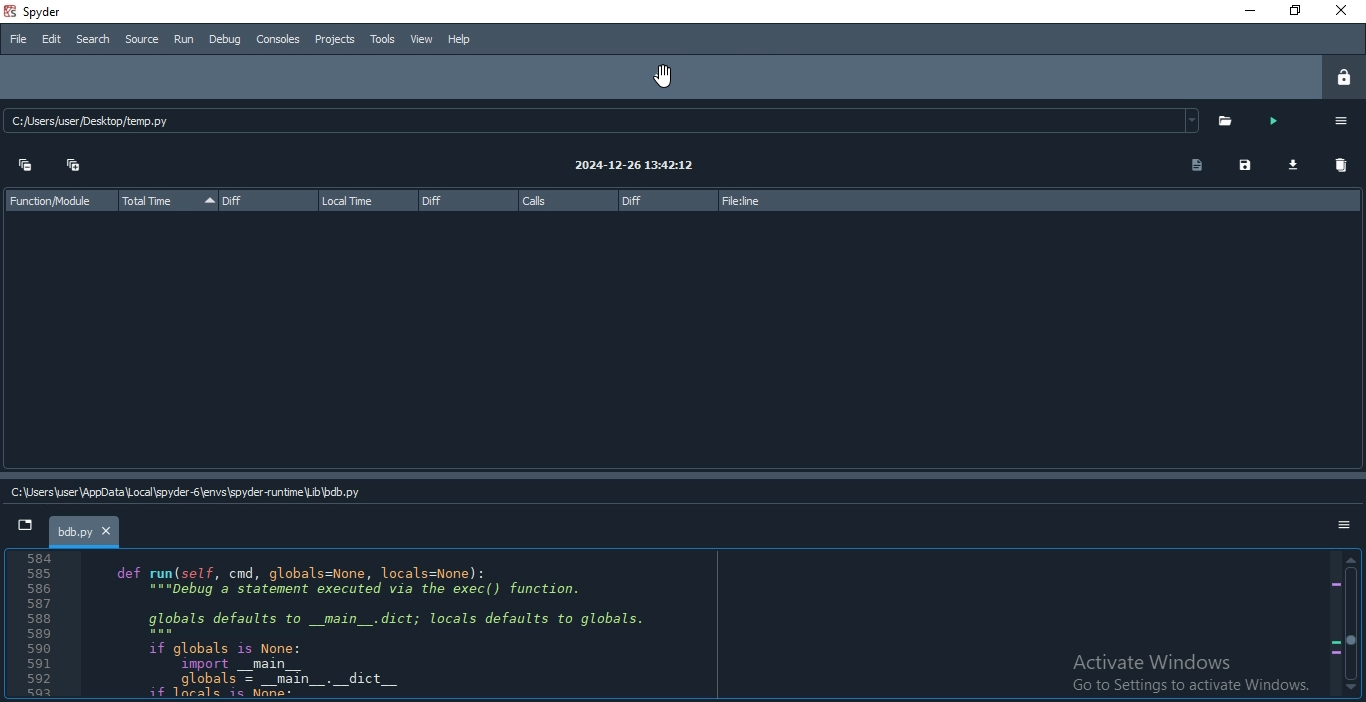 The image size is (1366, 702). What do you see at coordinates (96, 40) in the screenshot?
I see `Search` at bounding box center [96, 40].